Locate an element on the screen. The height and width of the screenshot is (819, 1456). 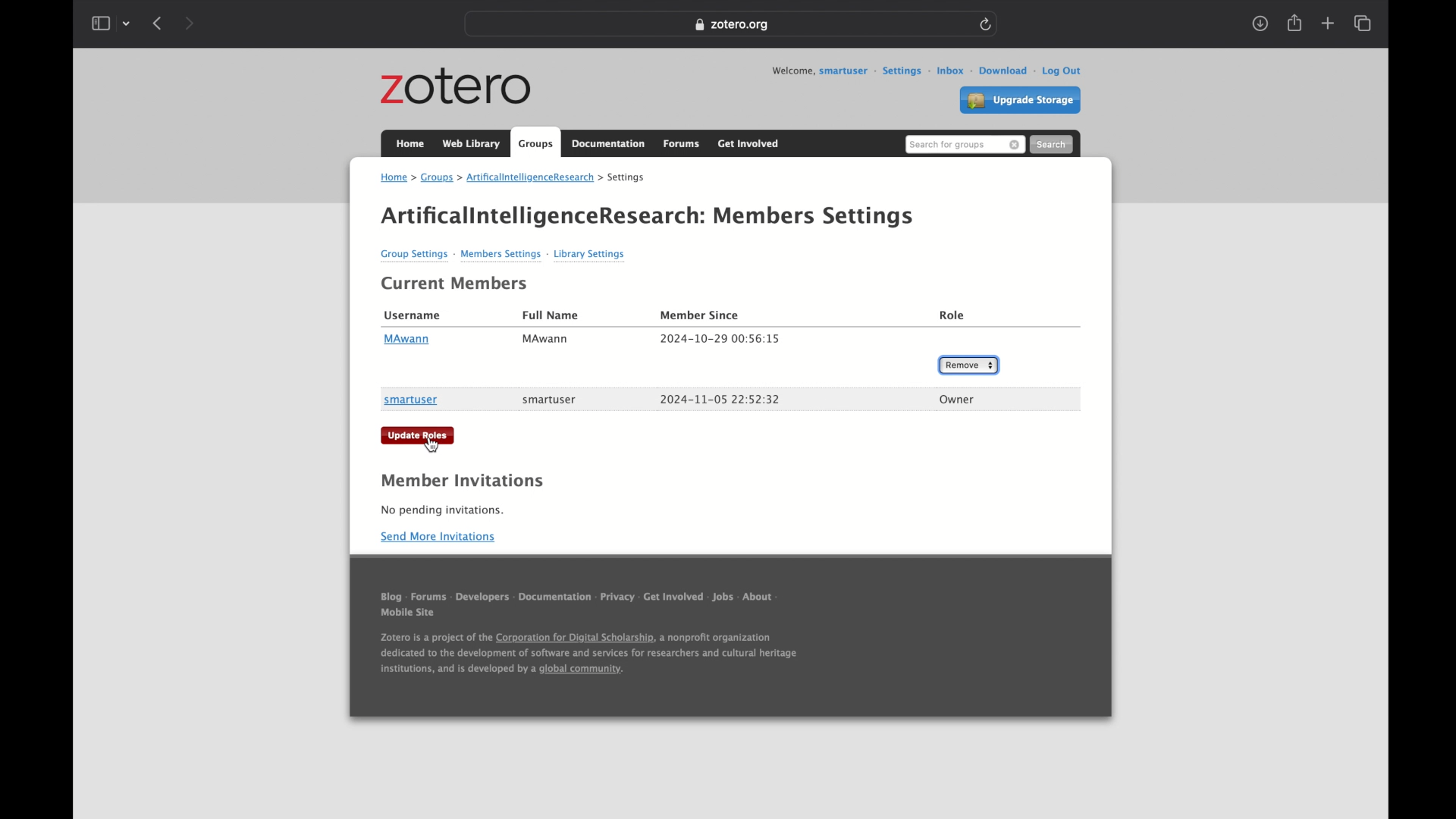
download  is located at coordinates (997, 71).